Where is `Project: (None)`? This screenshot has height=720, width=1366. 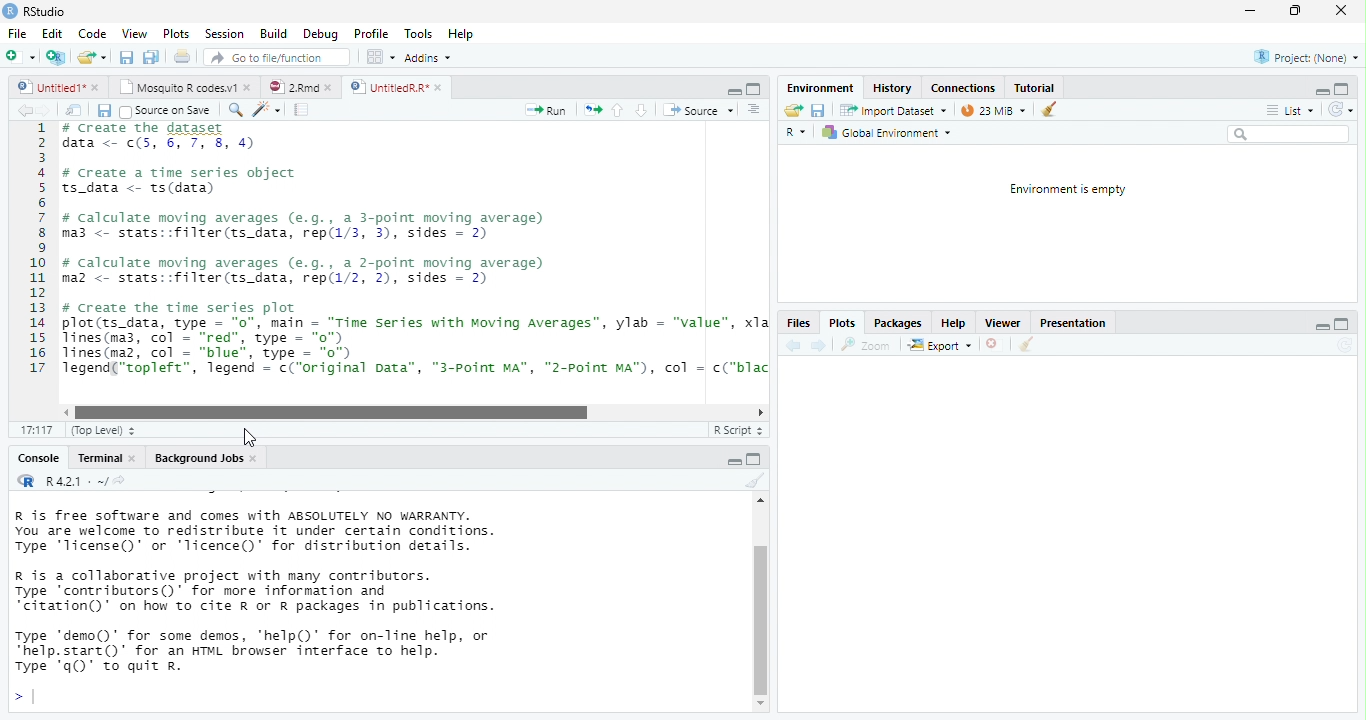 Project: (None) is located at coordinates (1307, 58).